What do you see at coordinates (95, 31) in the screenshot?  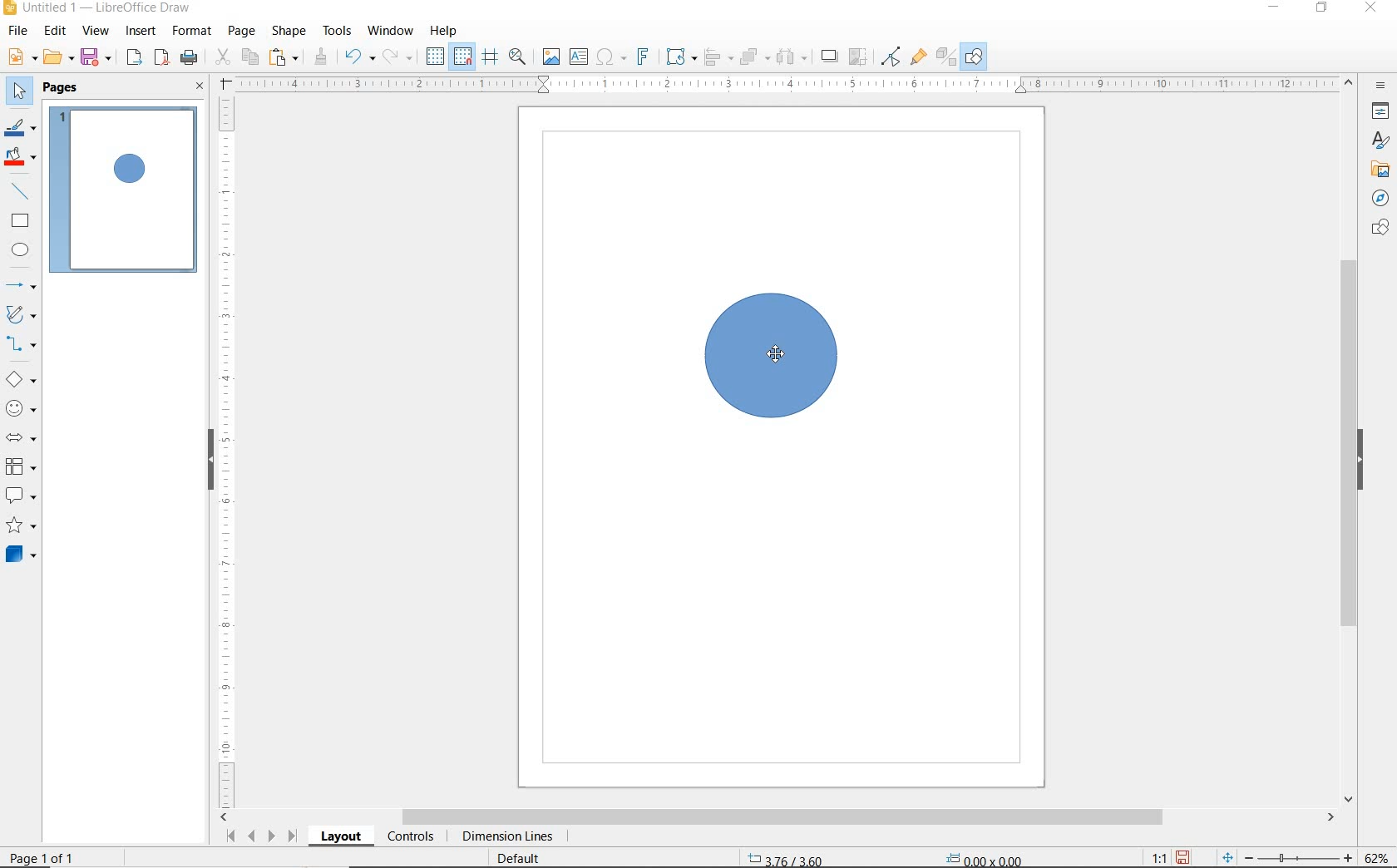 I see `VIEW` at bounding box center [95, 31].